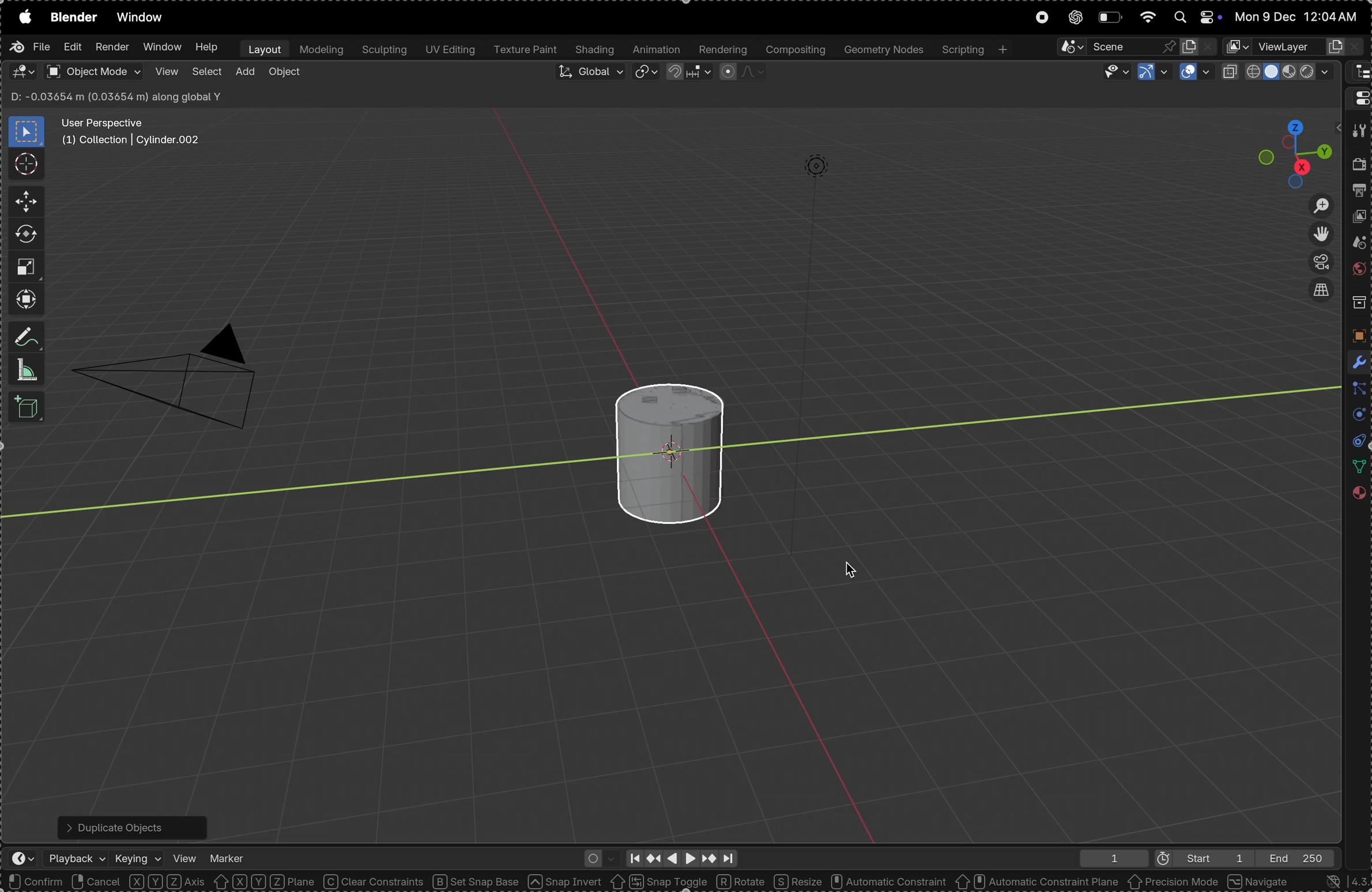 The image size is (1372, 892). I want to click on automatic constraint, so click(887, 882).